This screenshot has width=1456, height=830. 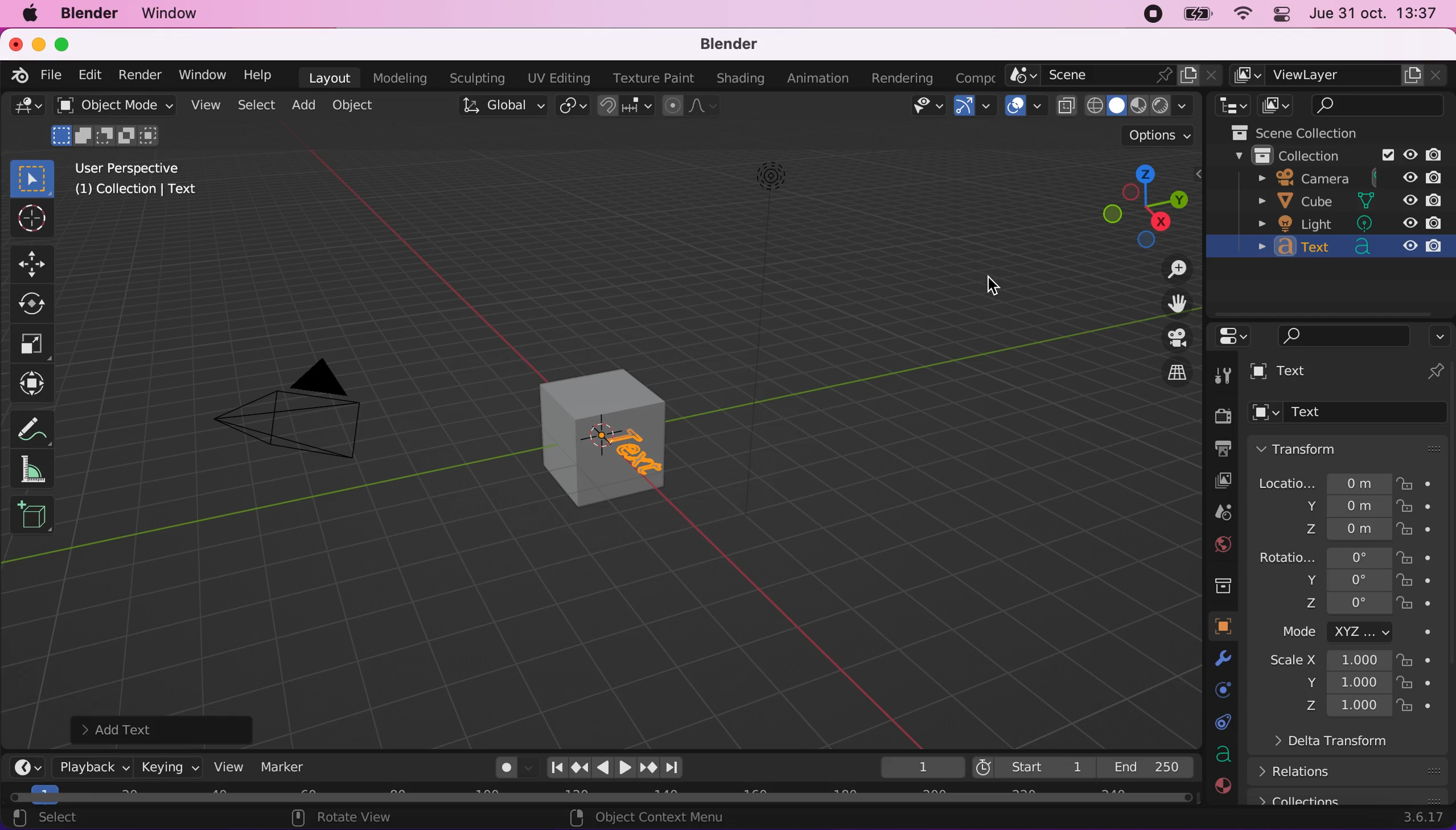 What do you see at coordinates (158, 730) in the screenshot?
I see `add text` at bounding box center [158, 730].